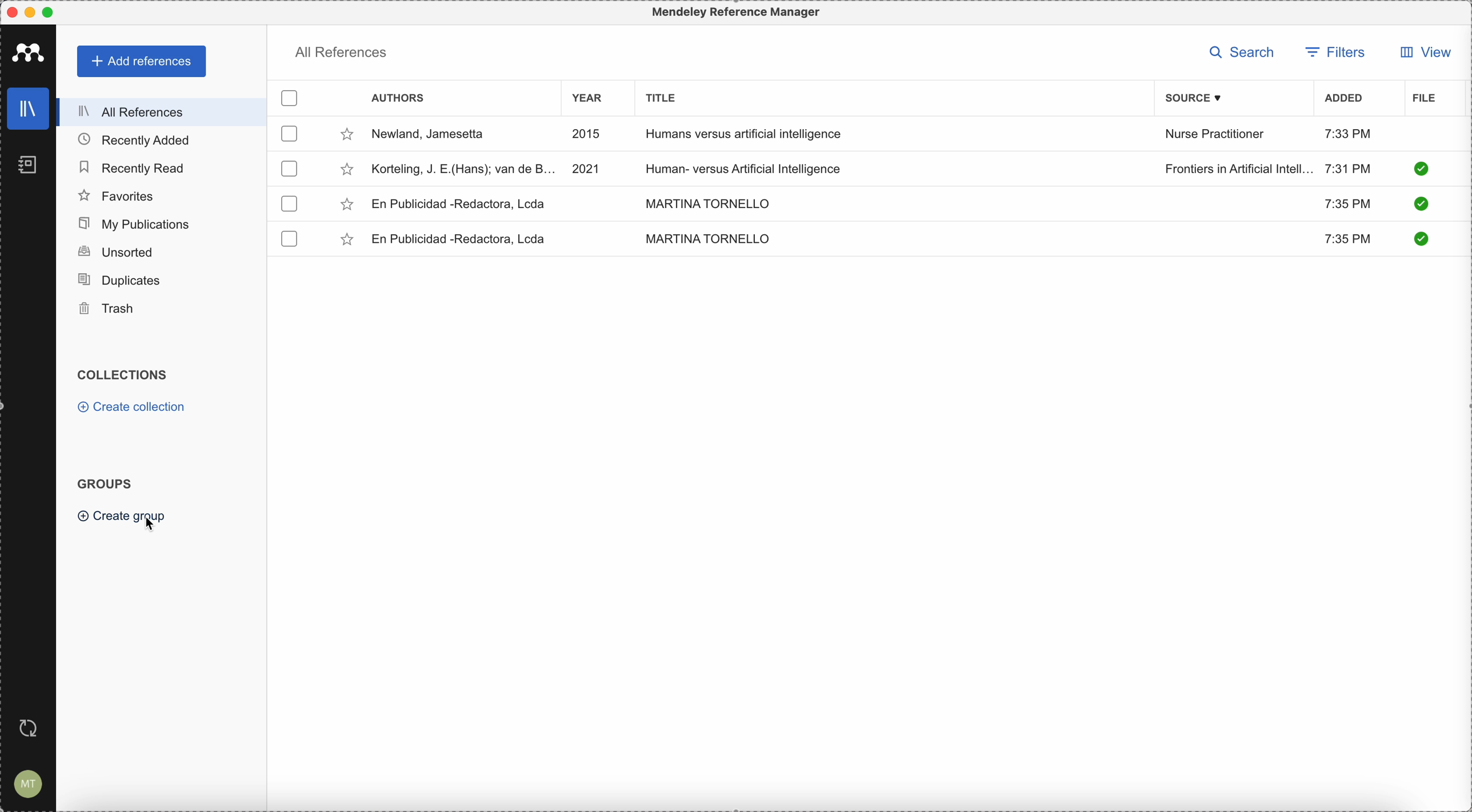 The width and height of the screenshot is (1472, 812). I want to click on click on create group, so click(107, 517).